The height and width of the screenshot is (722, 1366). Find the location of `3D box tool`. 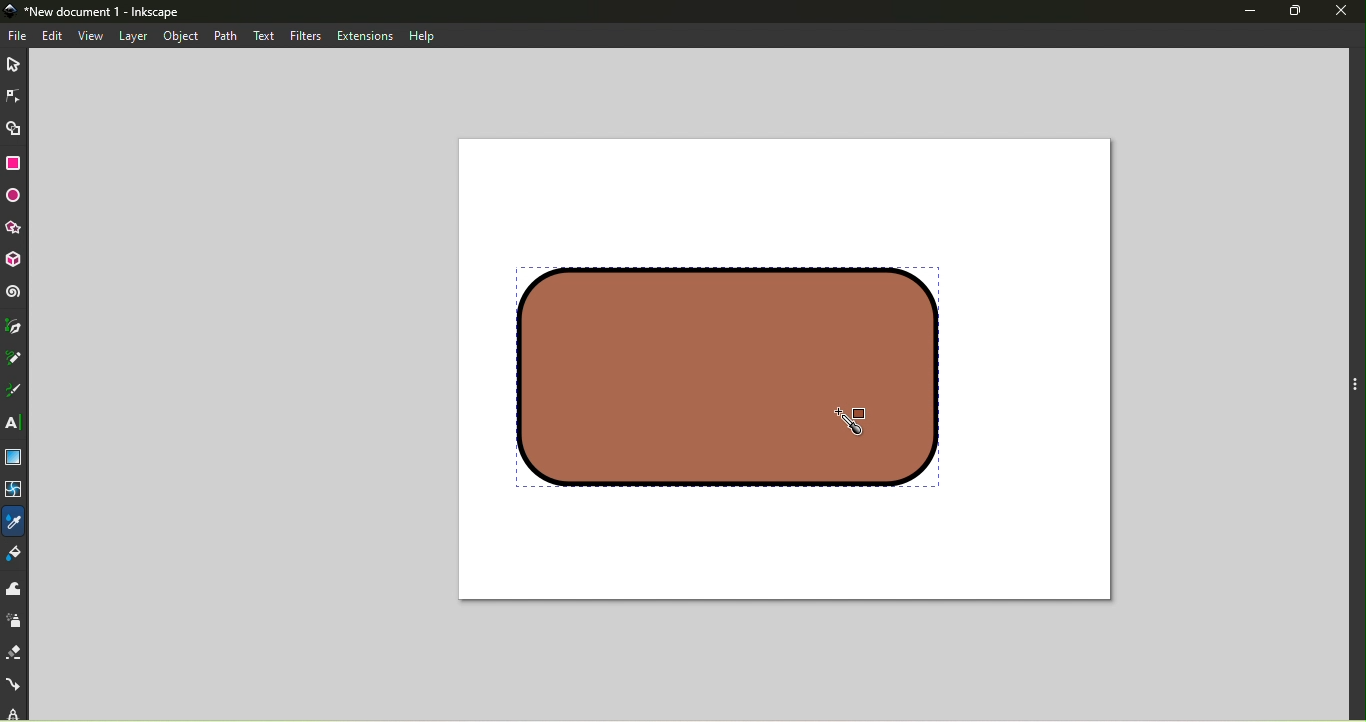

3D box tool is located at coordinates (17, 261).